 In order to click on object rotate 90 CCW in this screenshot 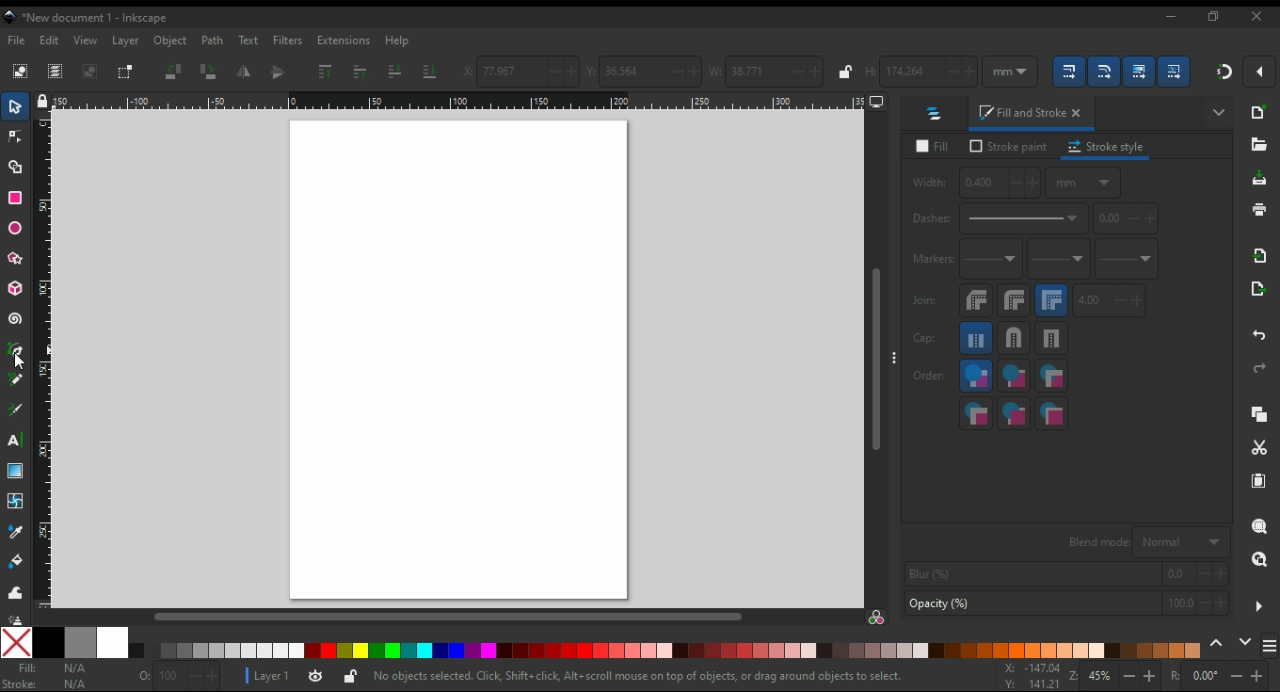, I will do `click(172, 72)`.